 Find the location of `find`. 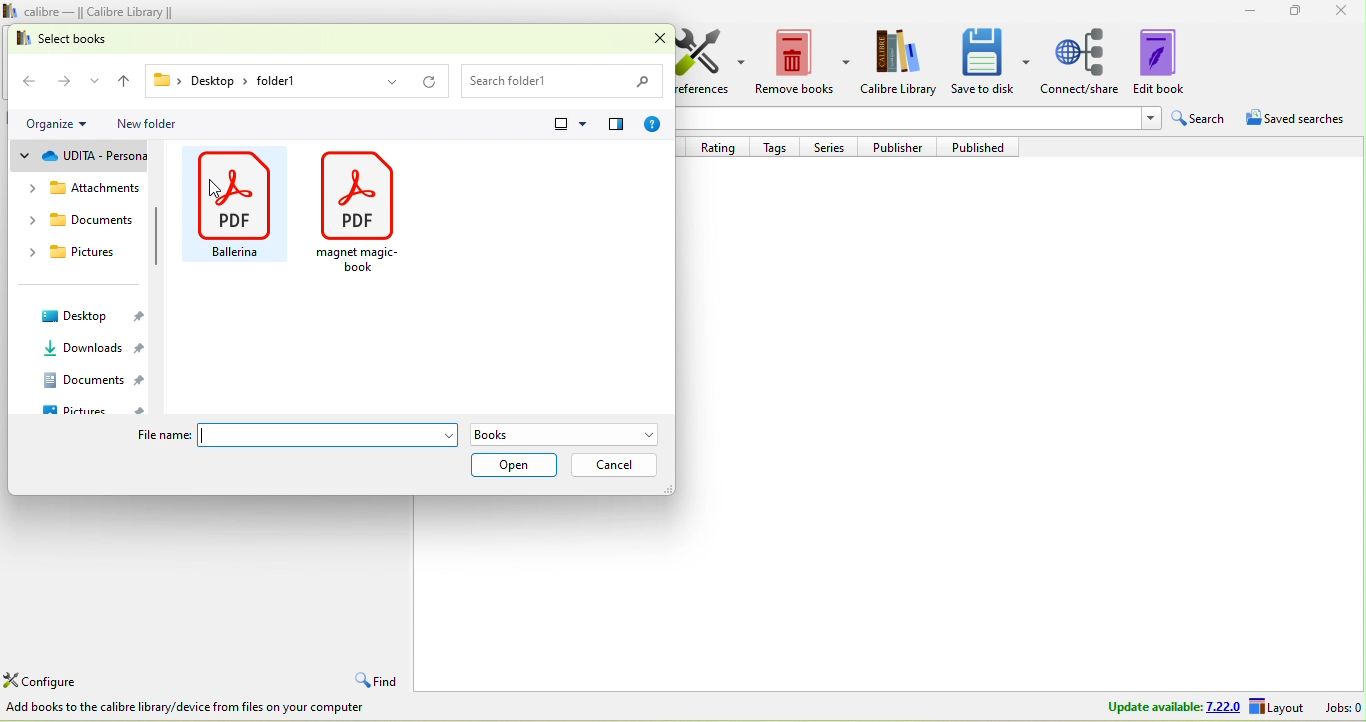

find is located at coordinates (380, 680).